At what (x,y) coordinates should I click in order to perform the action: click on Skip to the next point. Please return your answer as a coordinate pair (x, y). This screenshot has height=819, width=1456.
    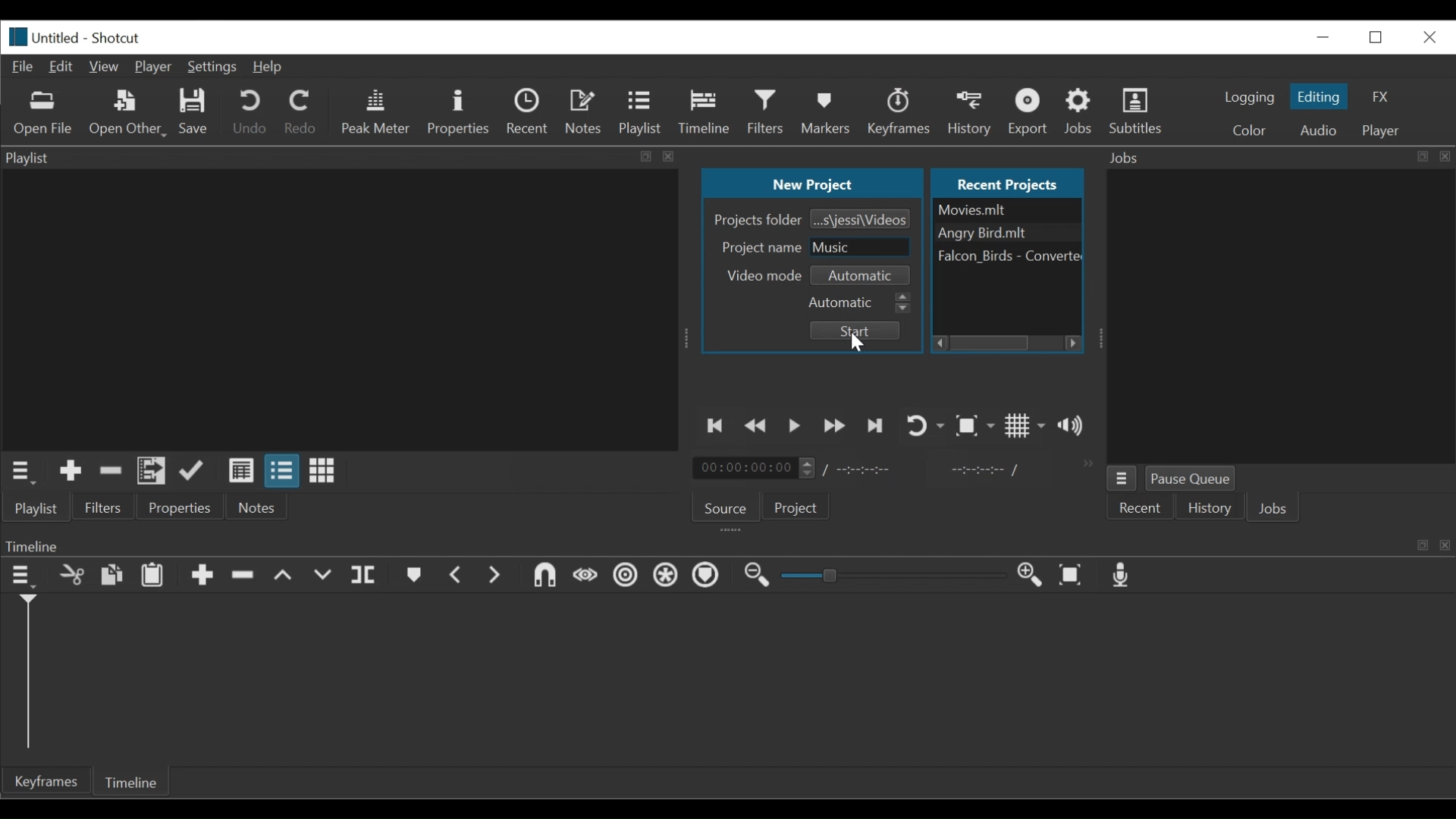
    Looking at the image, I should click on (875, 427).